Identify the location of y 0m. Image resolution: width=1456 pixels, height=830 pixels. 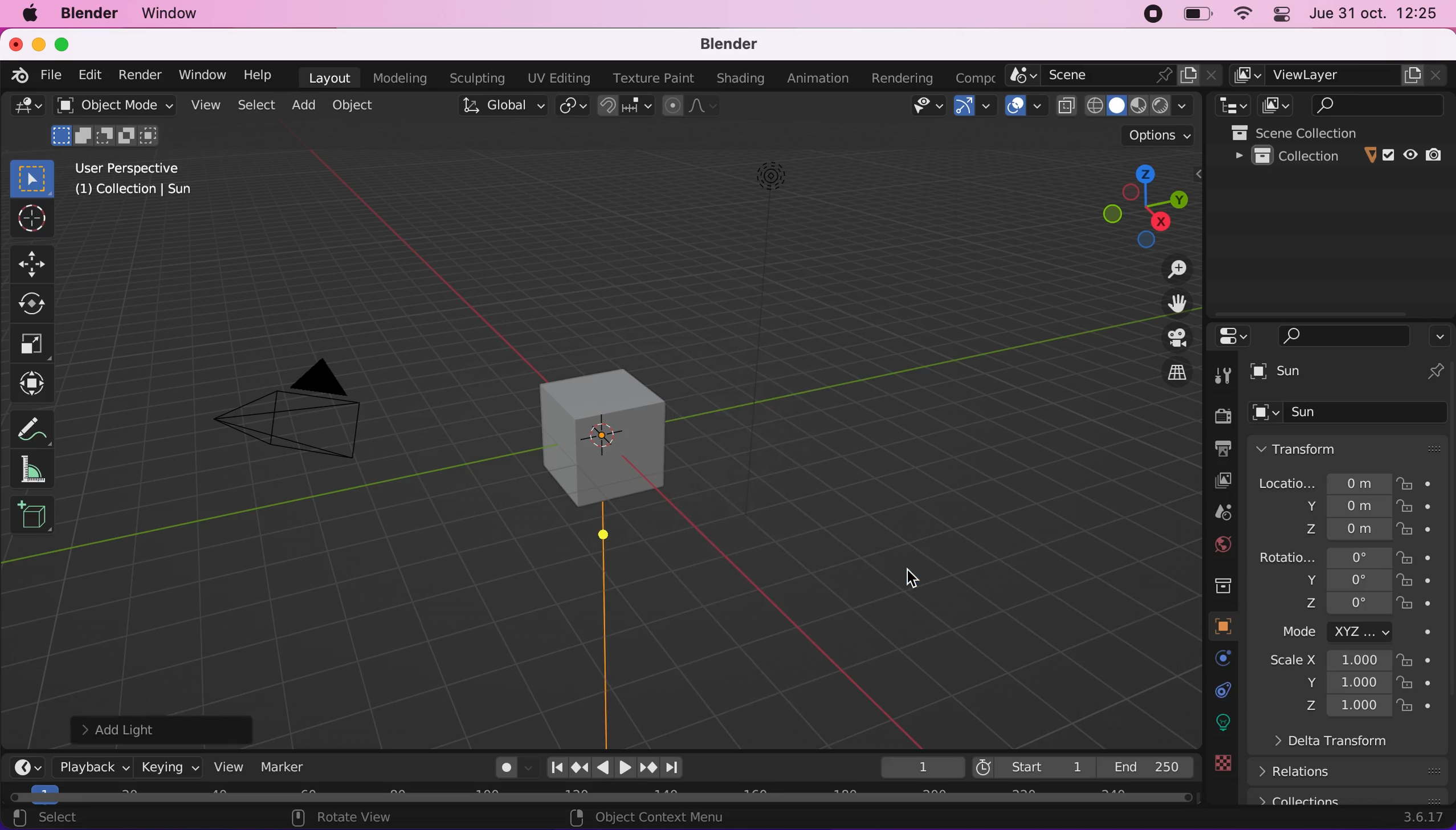
(1337, 507).